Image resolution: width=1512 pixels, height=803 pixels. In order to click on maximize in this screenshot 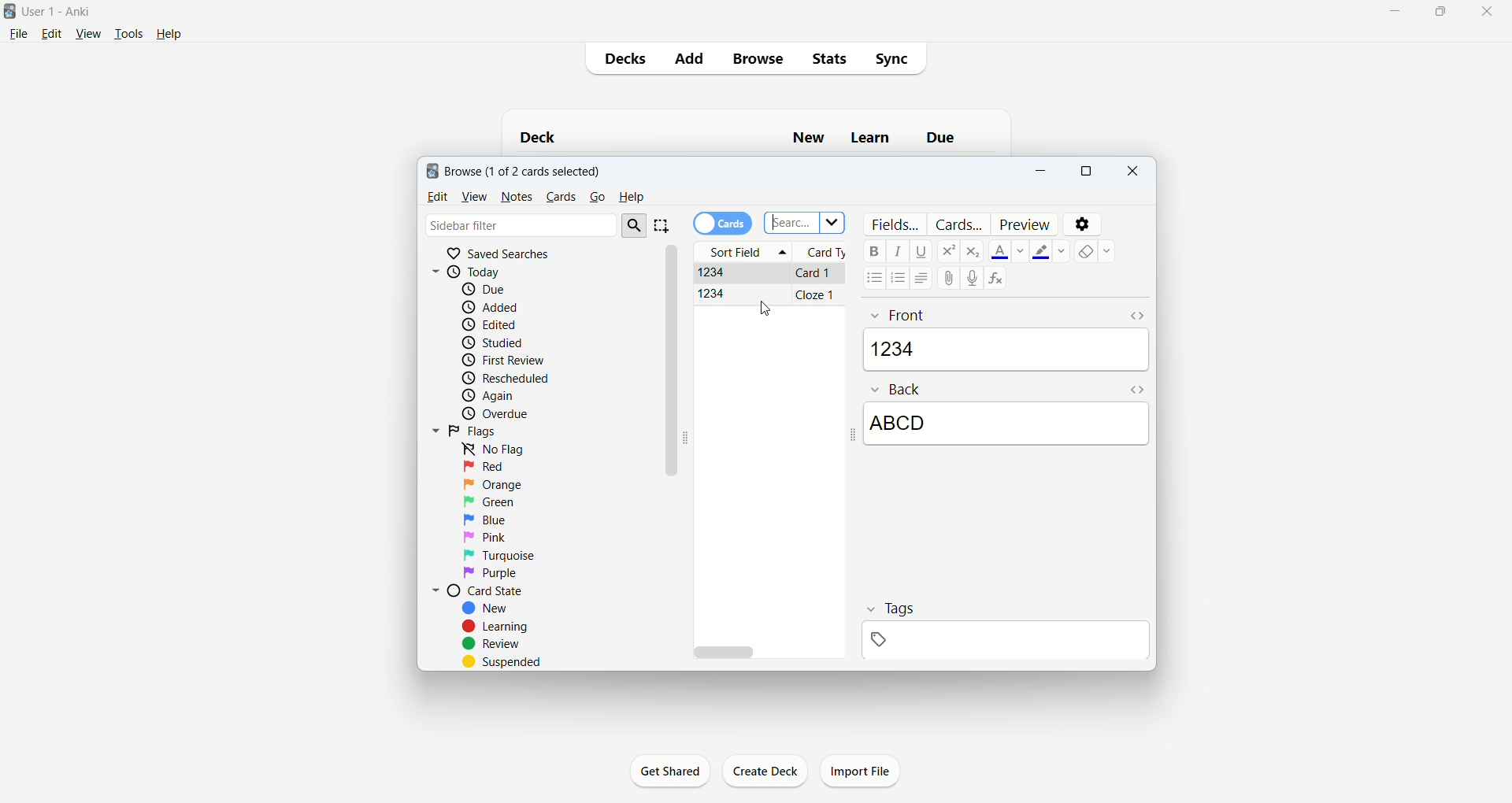, I will do `click(1447, 12)`.